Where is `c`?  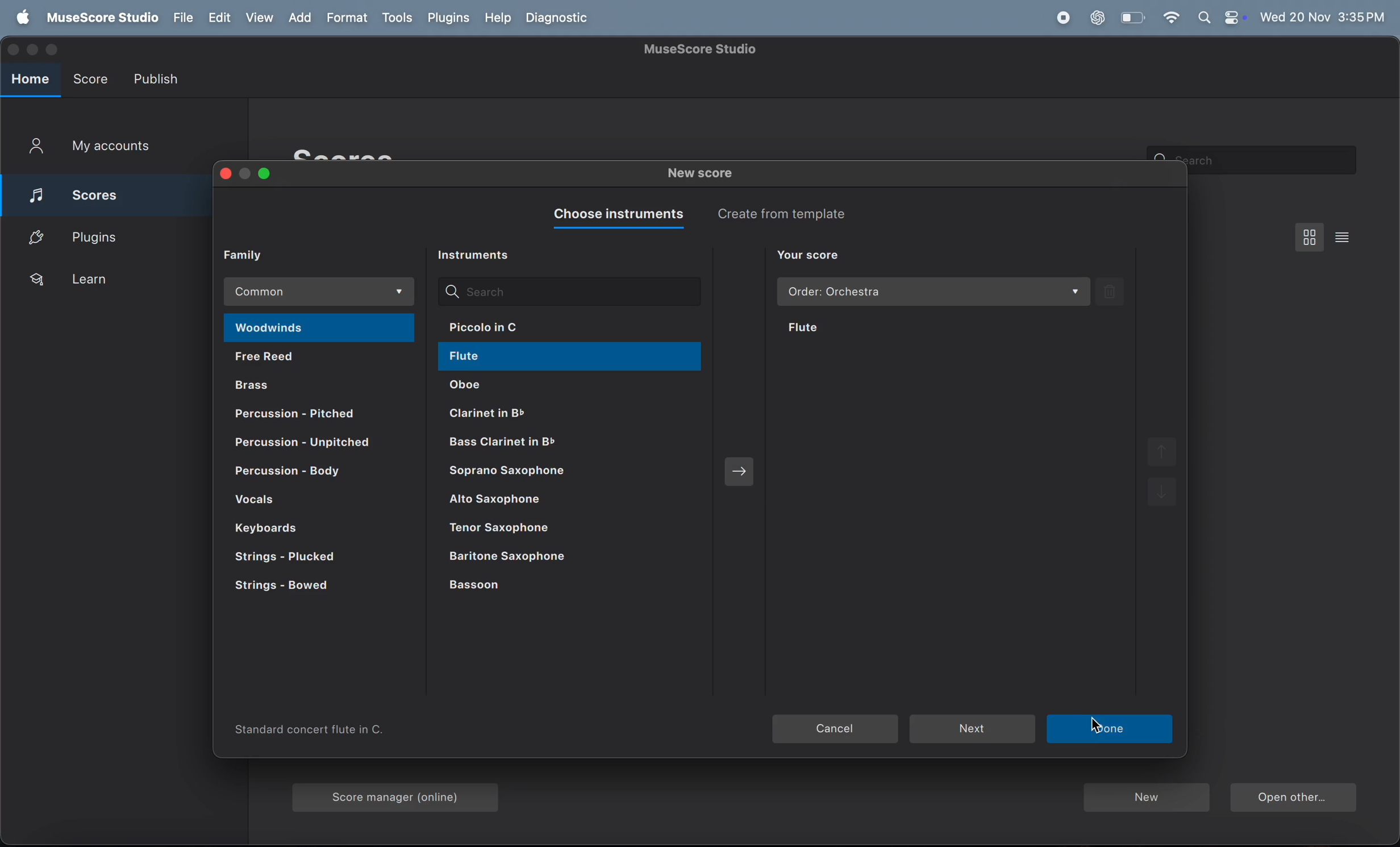
c is located at coordinates (1103, 725).